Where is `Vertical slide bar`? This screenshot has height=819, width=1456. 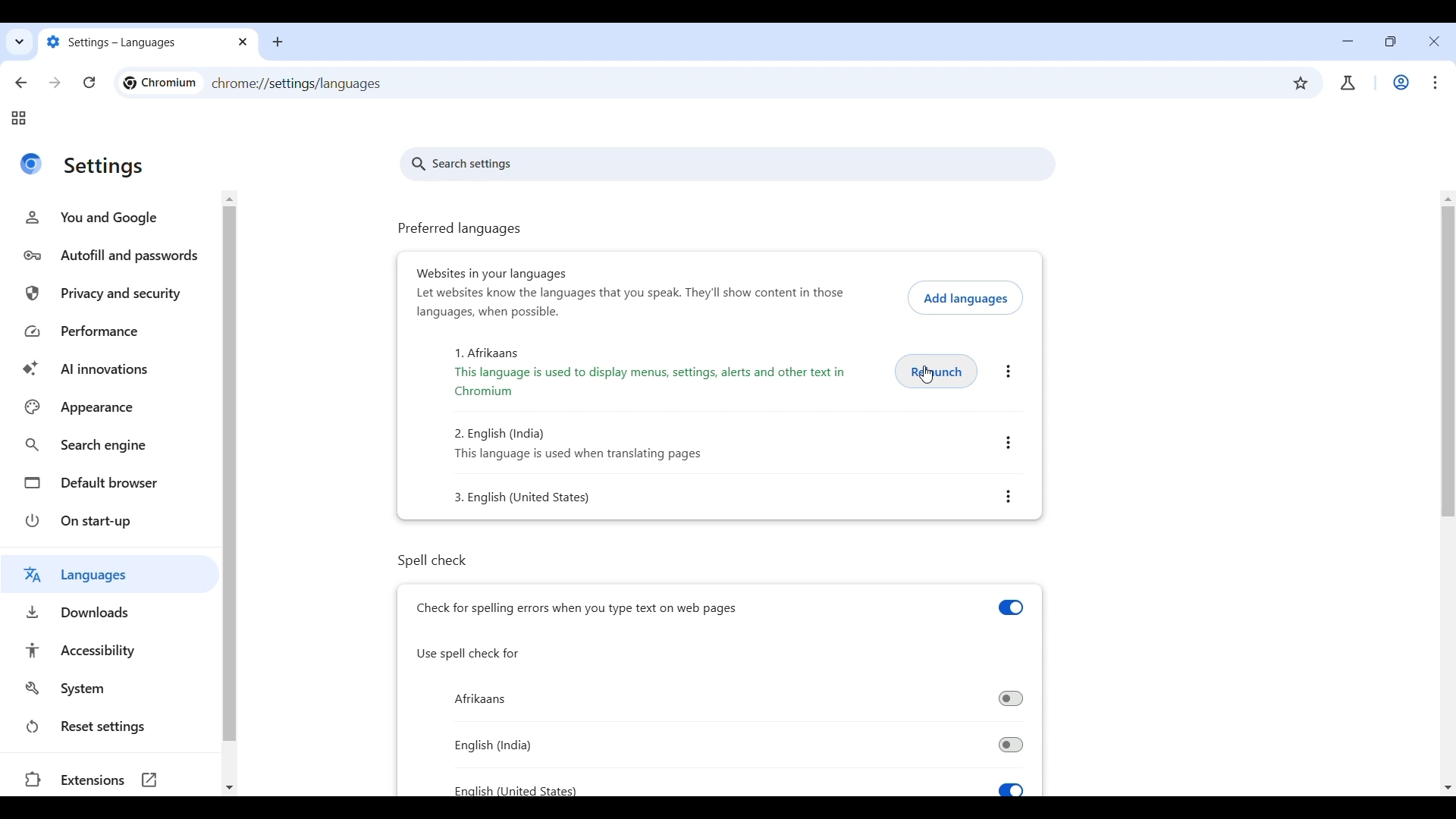
Vertical slide bar is located at coordinates (232, 475).